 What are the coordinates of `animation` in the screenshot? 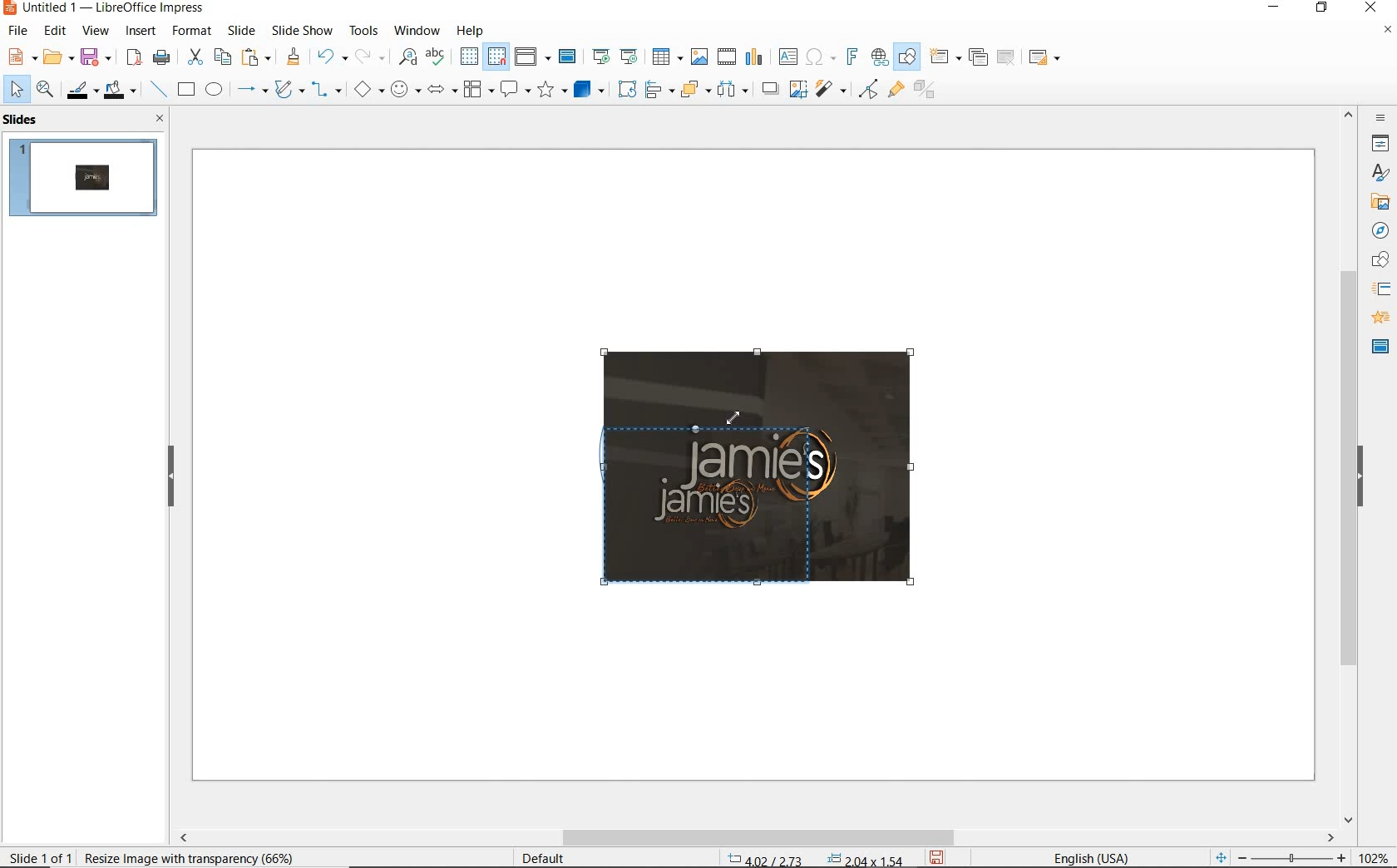 It's located at (1378, 318).